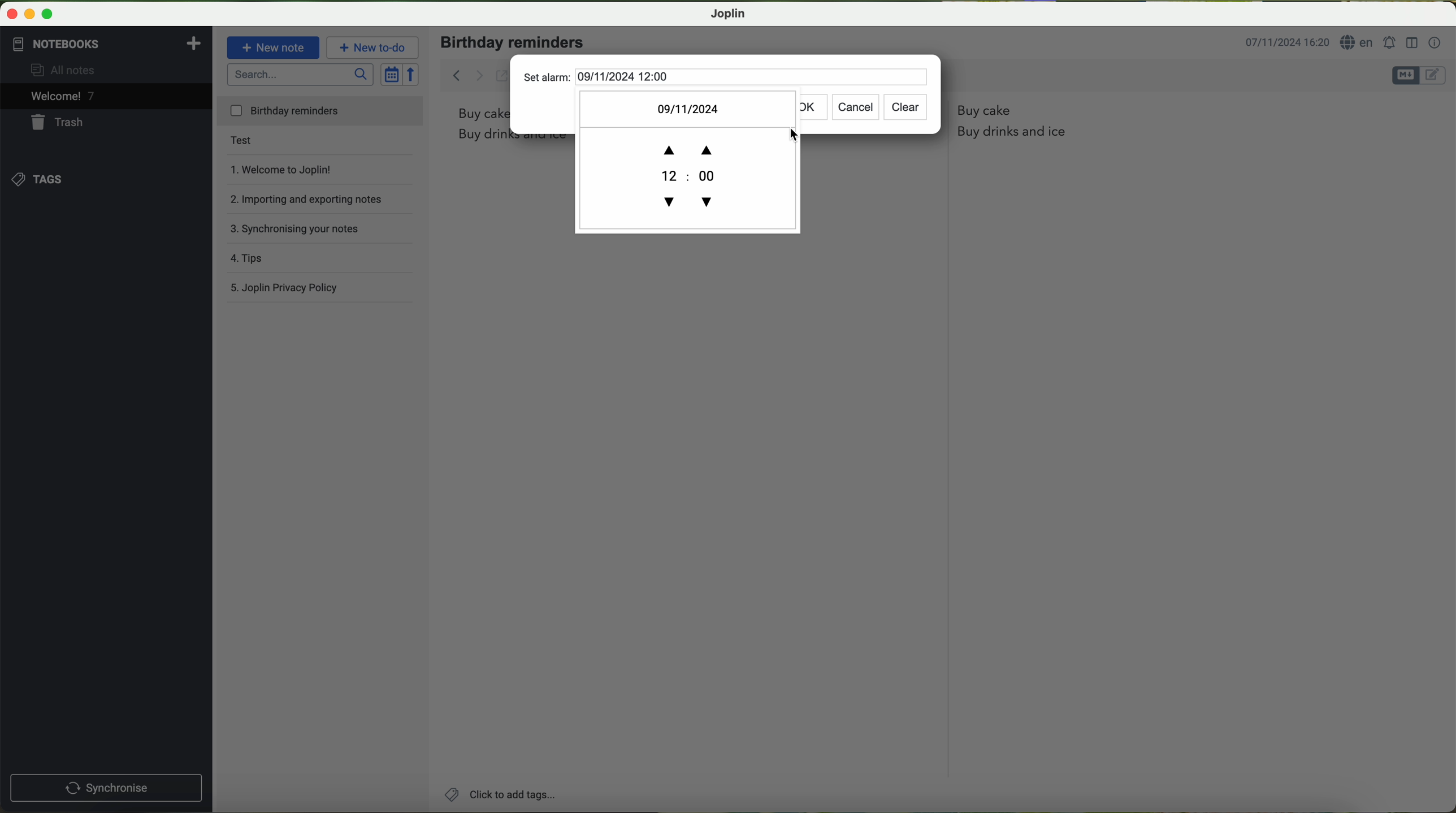 The height and width of the screenshot is (813, 1456). I want to click on 18:00, so click(708, 174).